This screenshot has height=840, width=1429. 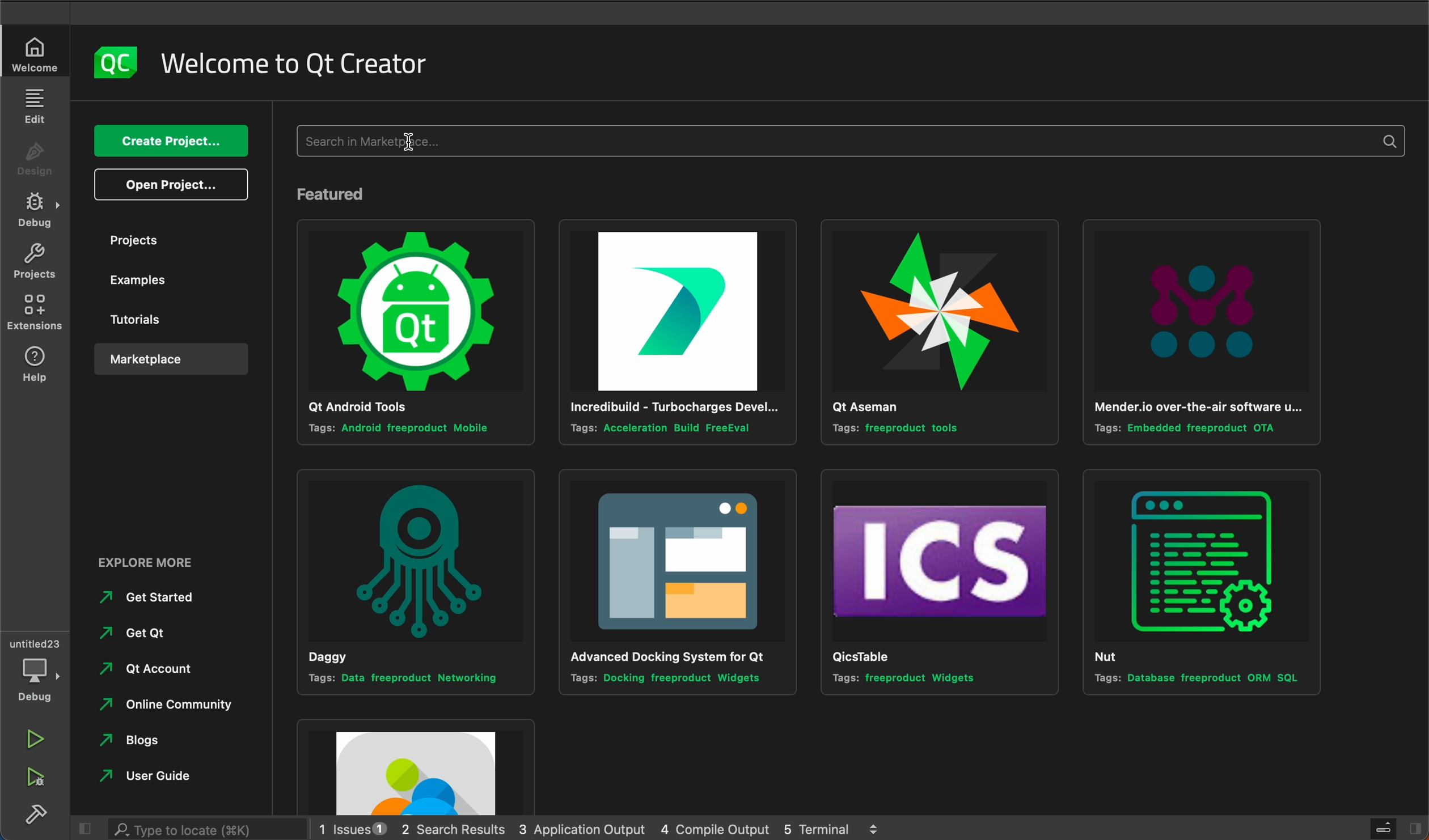 I want to click on extensions, so click(x=35, y=316).